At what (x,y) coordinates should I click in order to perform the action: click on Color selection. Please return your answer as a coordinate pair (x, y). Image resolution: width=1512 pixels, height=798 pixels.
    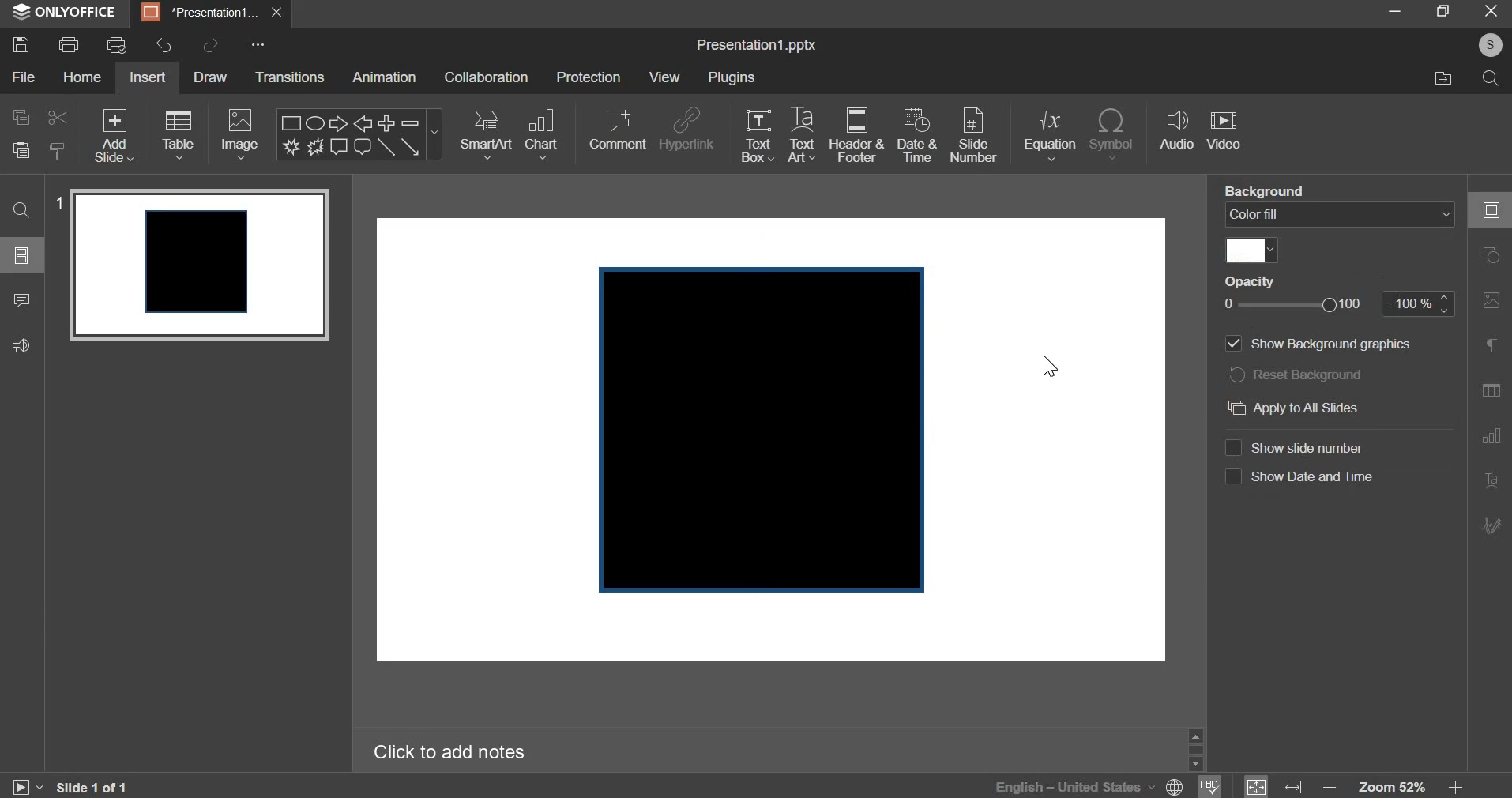
    Looking at the image, I should click on (1251, 248).